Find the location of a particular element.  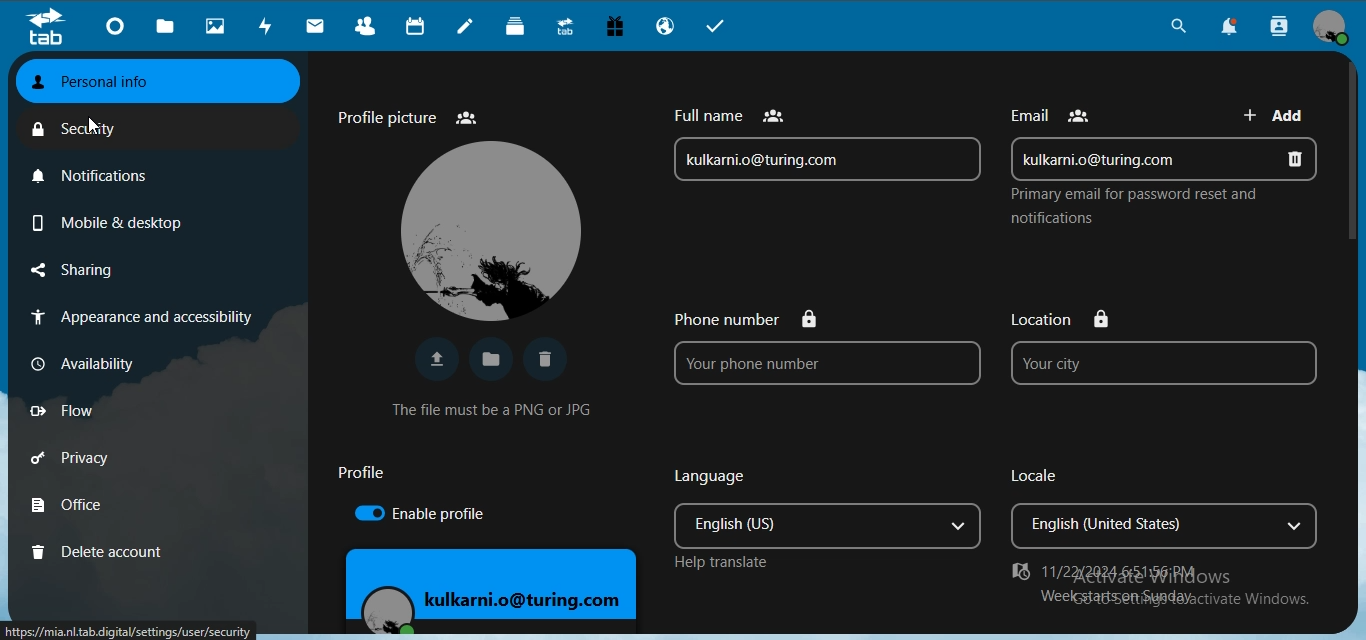

notifications is located at coordinates (101, 172).